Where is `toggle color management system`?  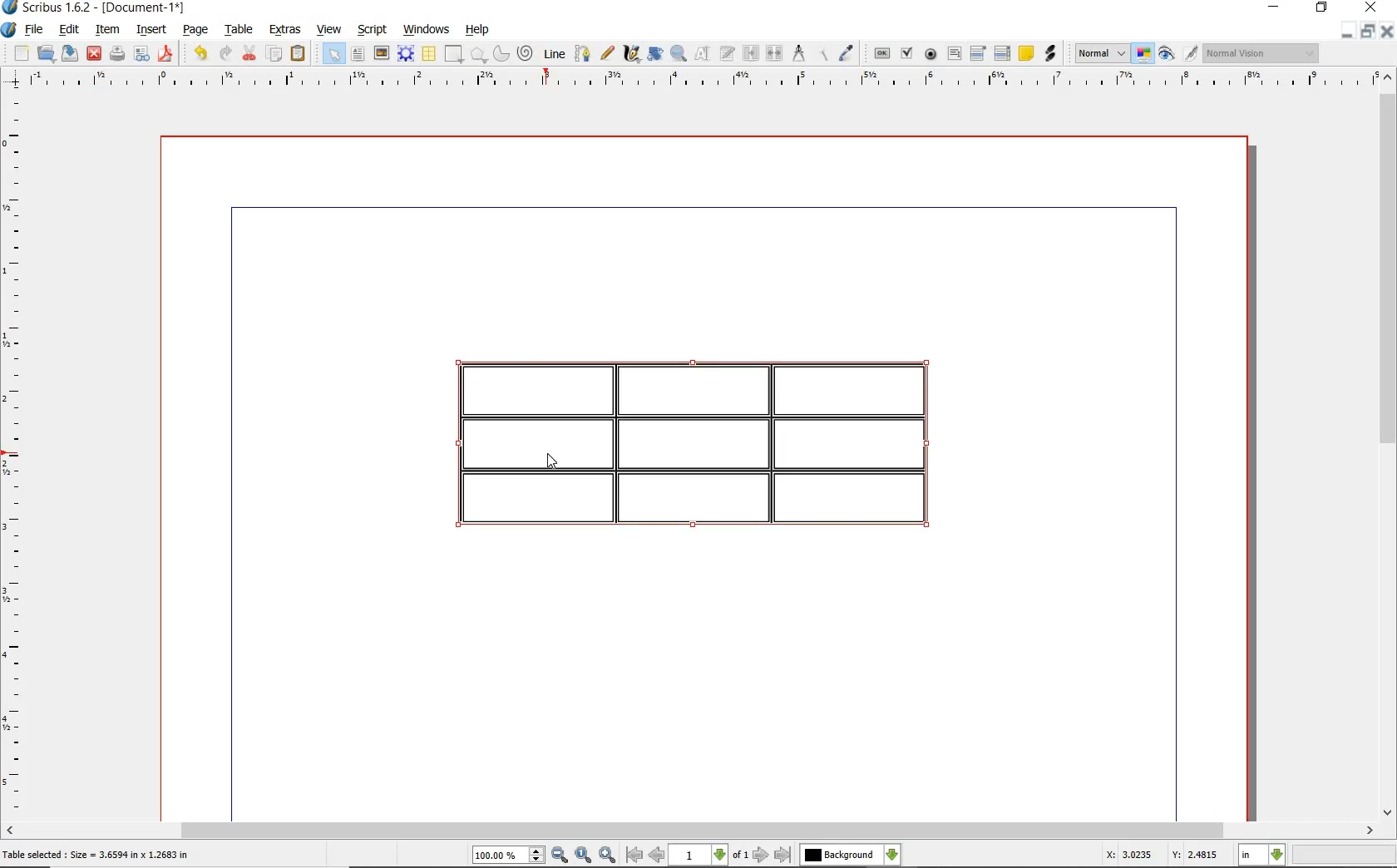
toggle color management system is located at coordinates (1140, 52).